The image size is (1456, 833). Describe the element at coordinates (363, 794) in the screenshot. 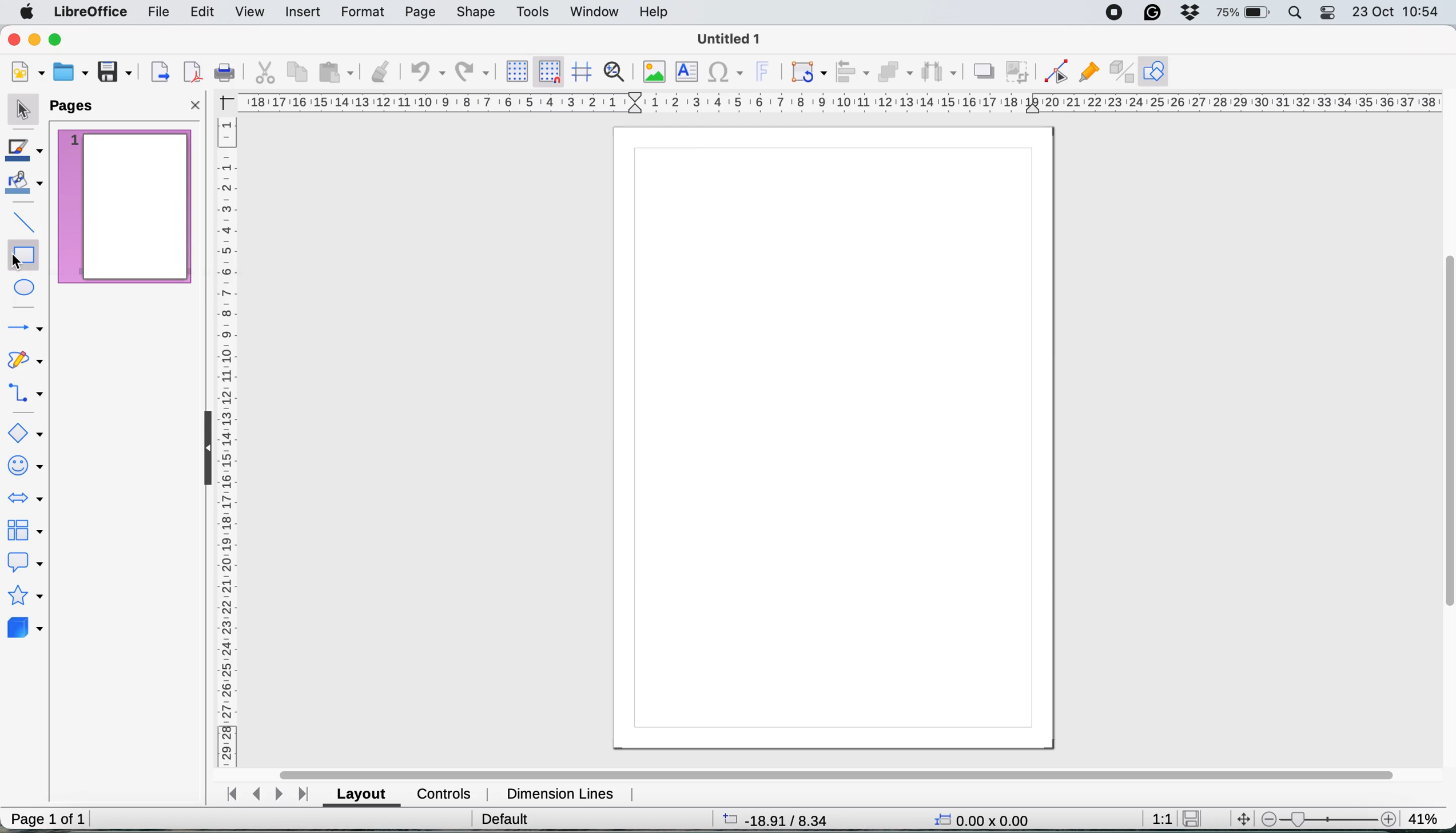

I see `layout` at that location.